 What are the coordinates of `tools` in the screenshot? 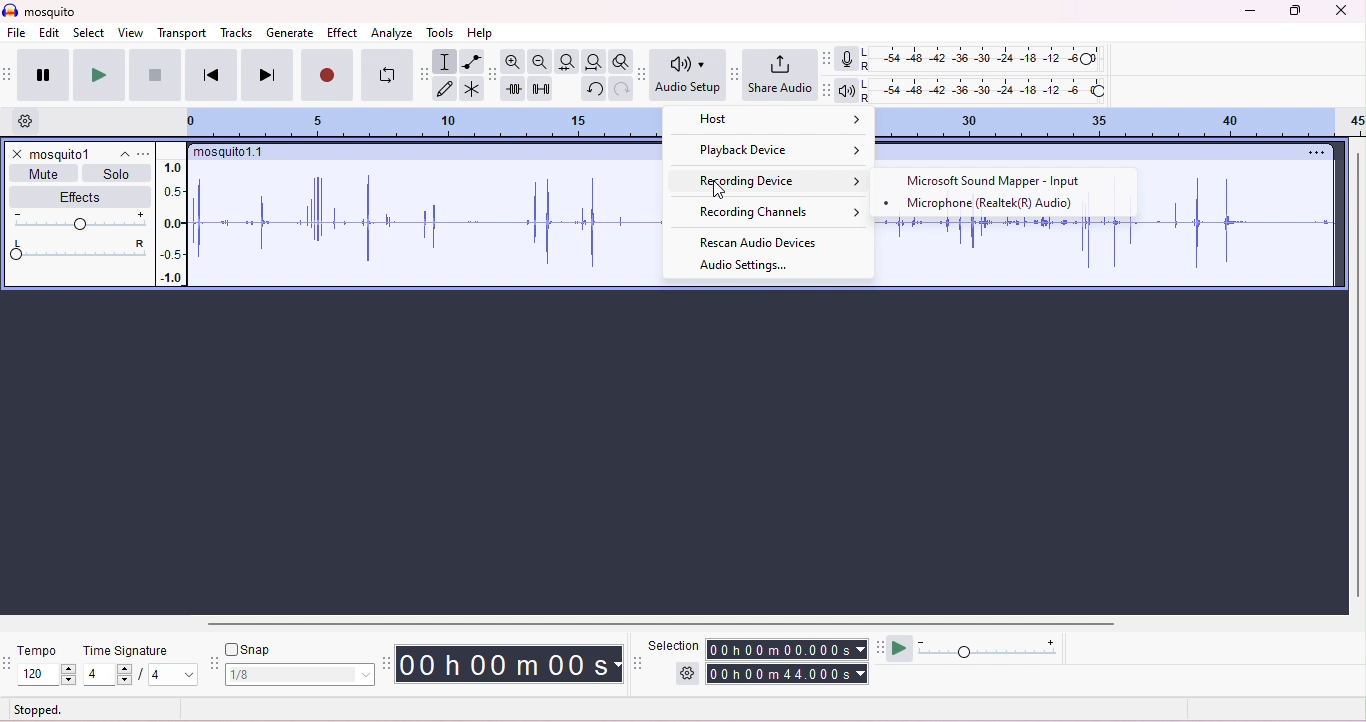 It's located at (441, 33).